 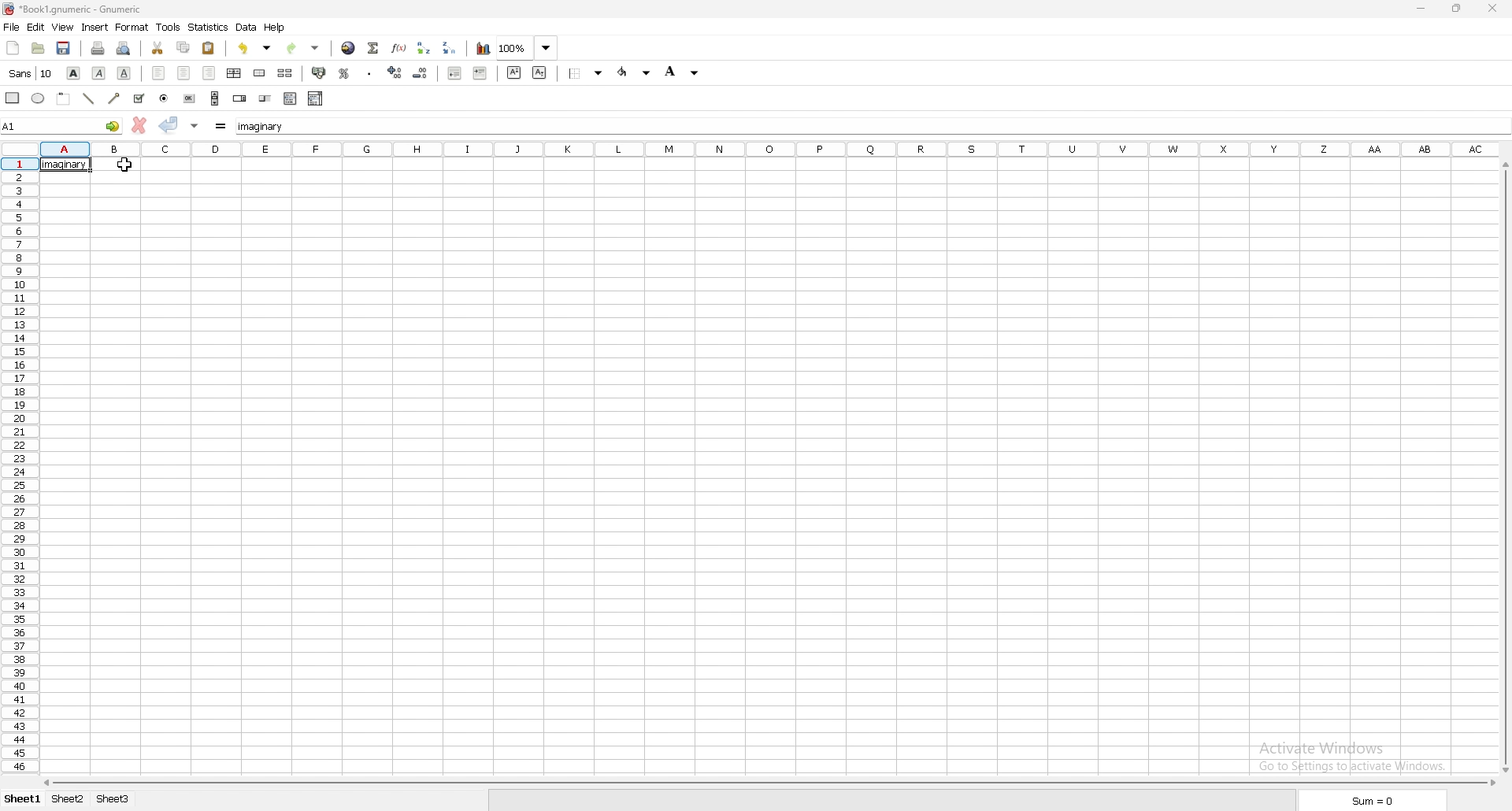 What do you see at coordinates (125, 49) in the screenshot?
I see `print preview` at bounding box center [125, 49].